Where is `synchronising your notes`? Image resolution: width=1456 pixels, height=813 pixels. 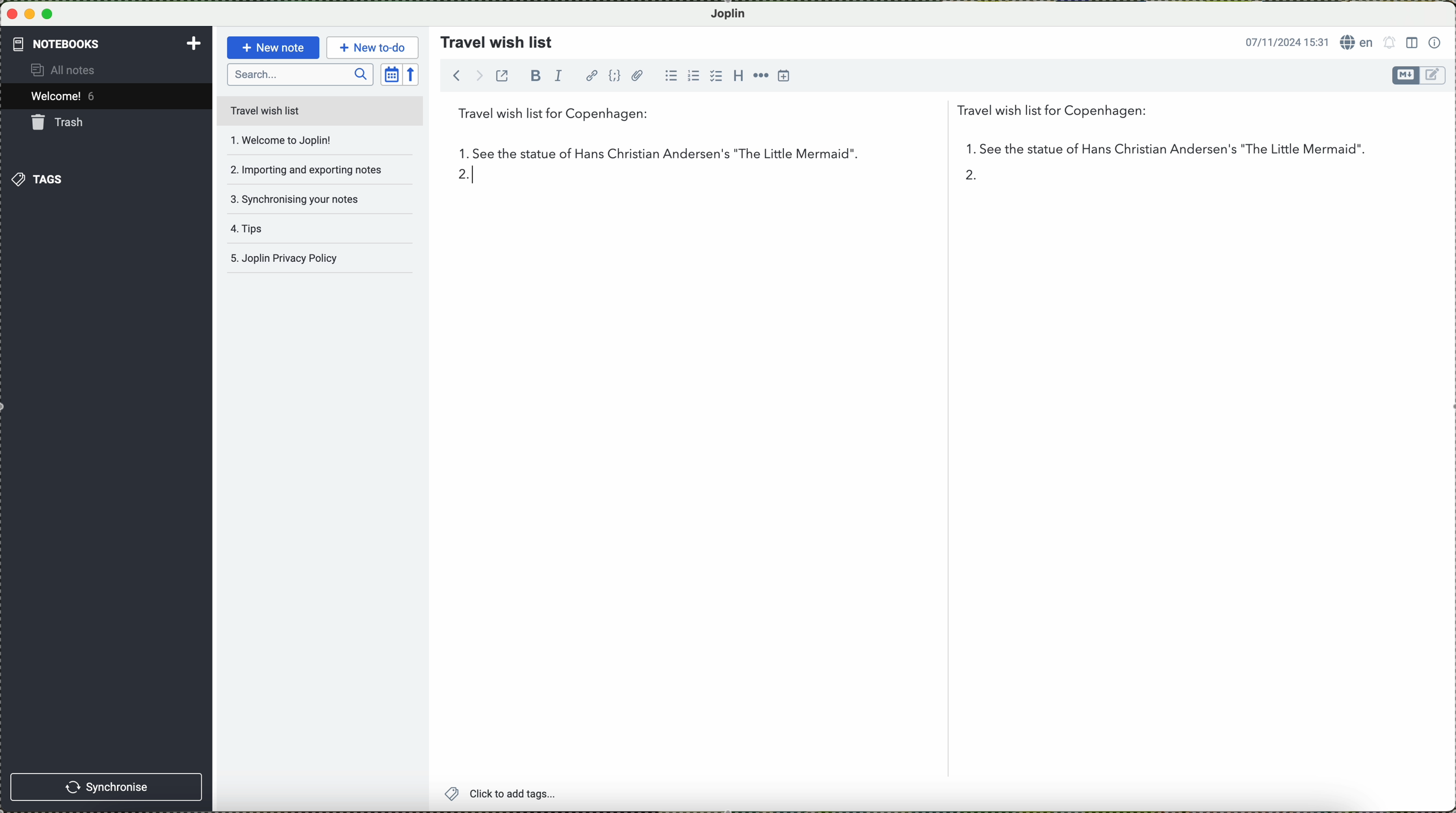 synchronising your notes is located at coordinates (304, 198).